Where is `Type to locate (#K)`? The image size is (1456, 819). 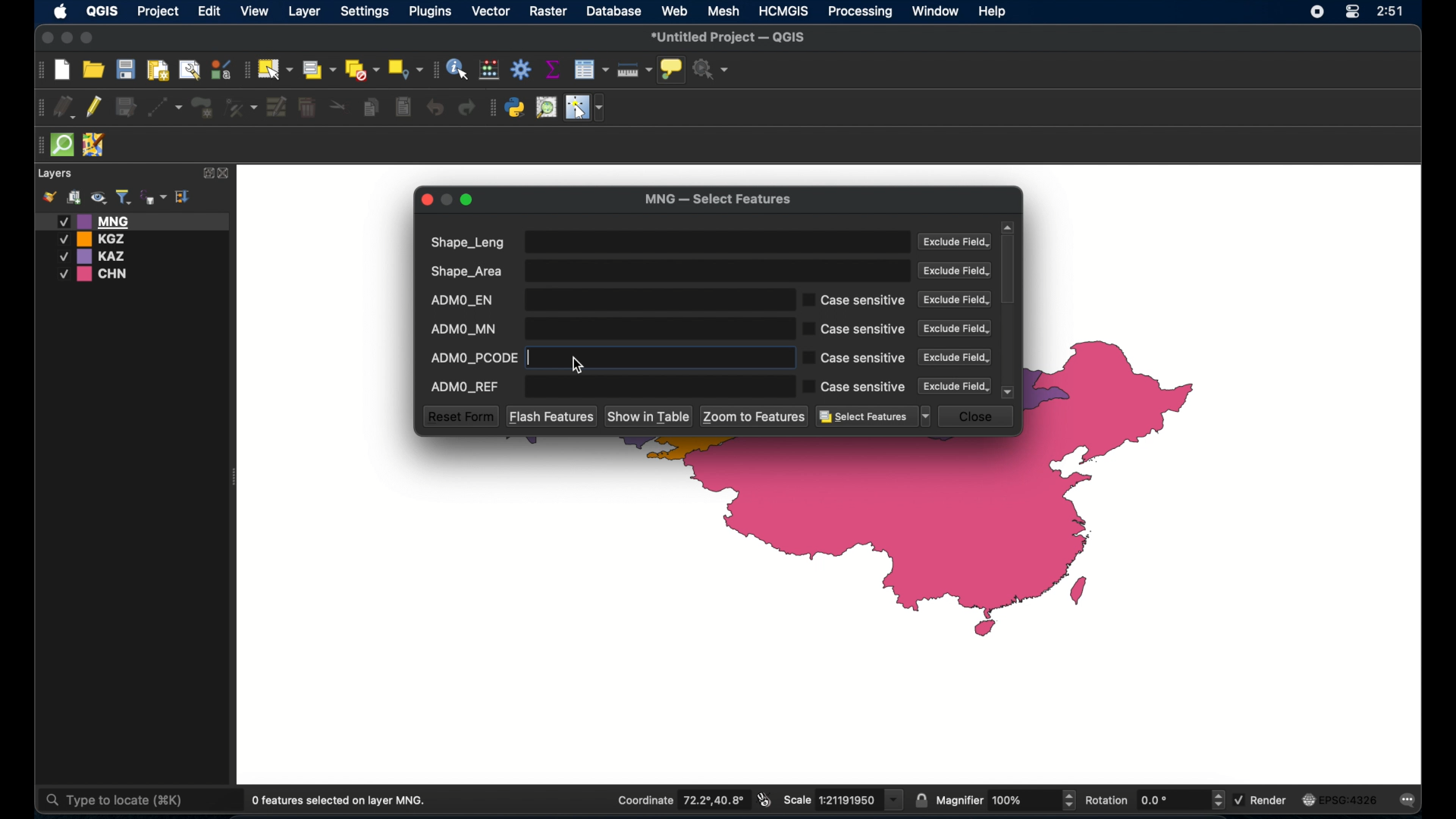 Type to locate (#K) is located at coordinates (127, 802).